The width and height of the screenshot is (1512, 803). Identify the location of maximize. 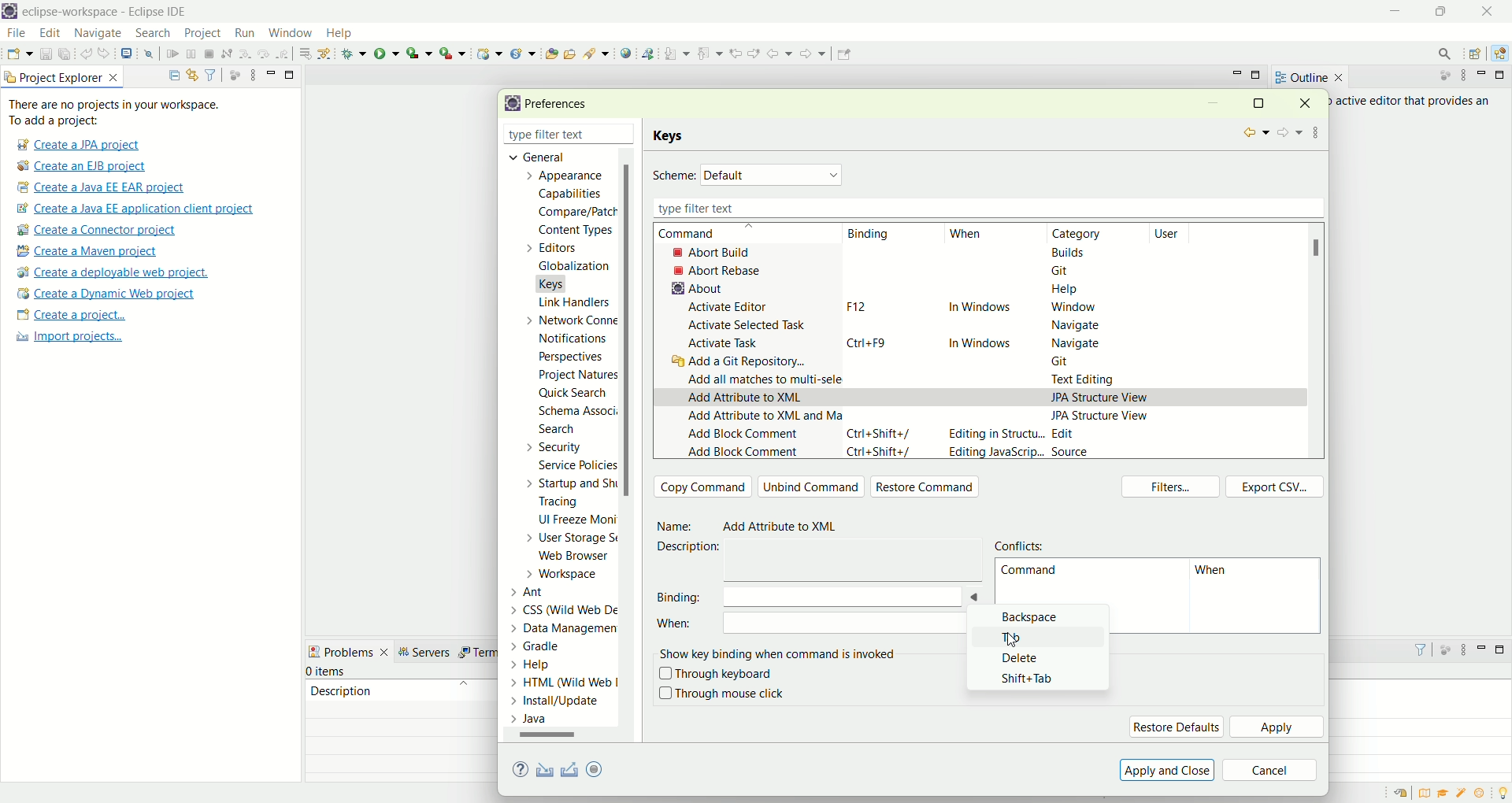
(291, 73).